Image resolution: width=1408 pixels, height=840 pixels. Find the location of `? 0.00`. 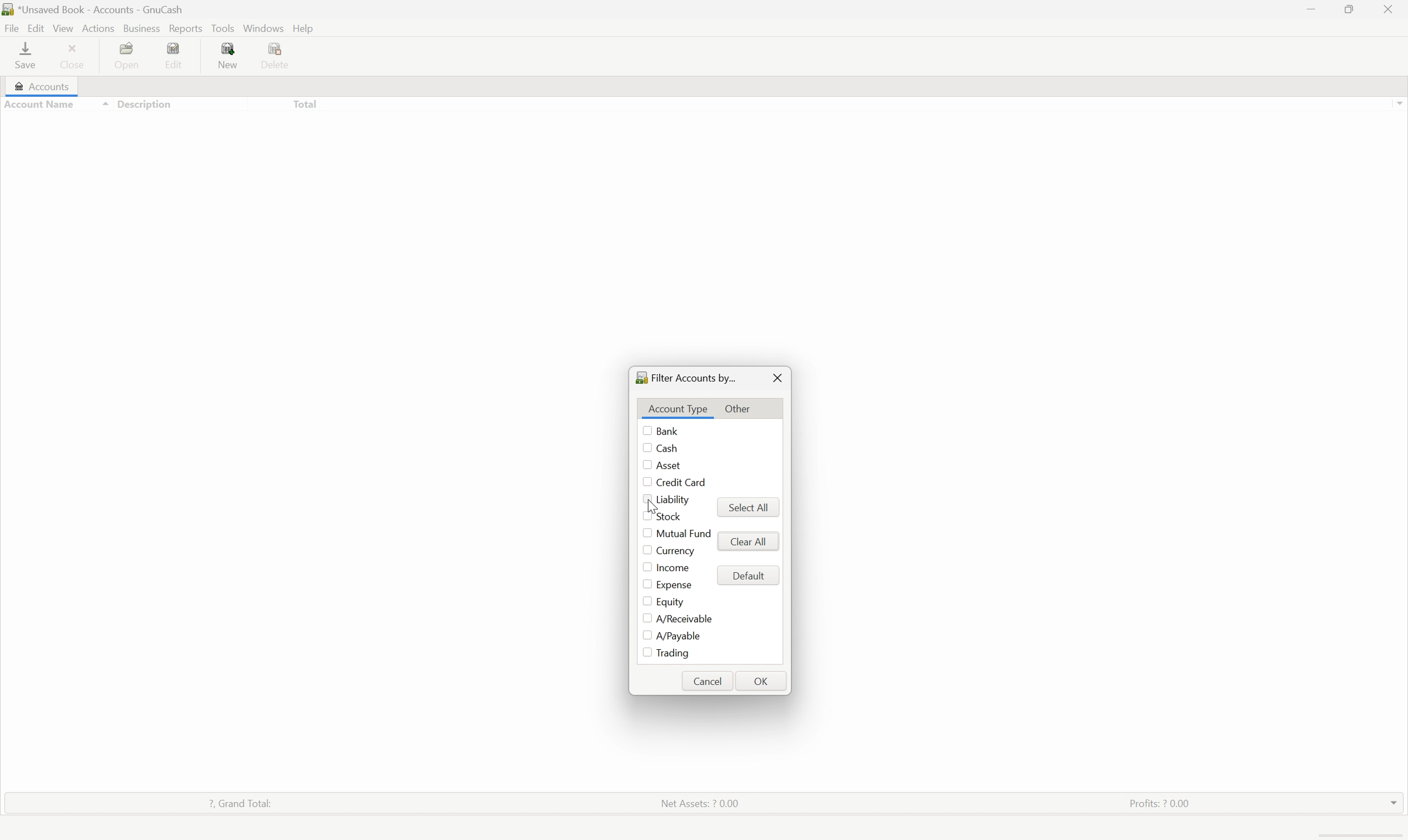

? 0.00 is located at coordinates (305, 154).